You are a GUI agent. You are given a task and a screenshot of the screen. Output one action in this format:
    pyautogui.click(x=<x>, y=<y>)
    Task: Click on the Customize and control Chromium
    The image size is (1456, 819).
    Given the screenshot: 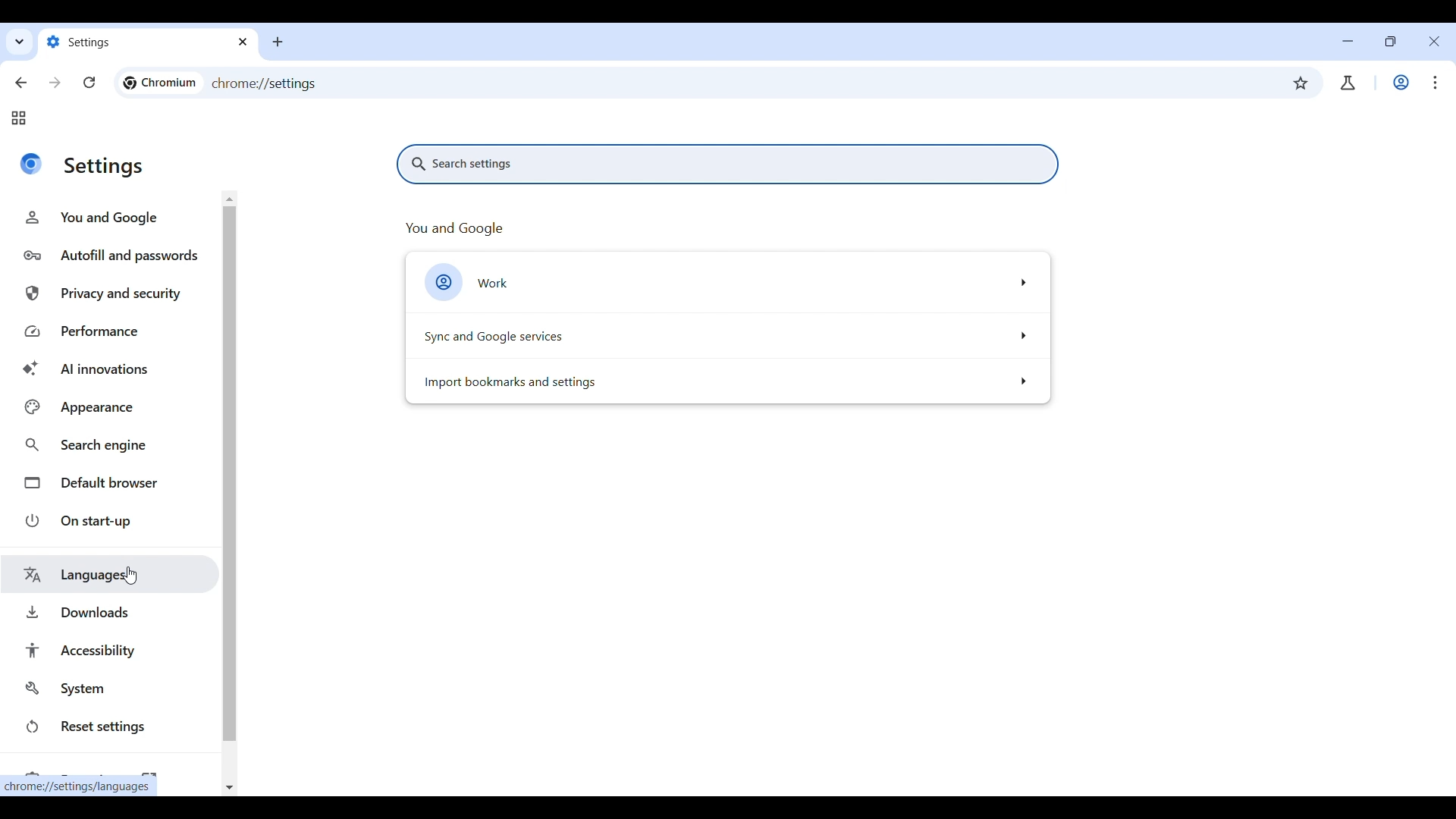 What is the action you would take?
    pyautogui.click(x=1432, y=82)
    